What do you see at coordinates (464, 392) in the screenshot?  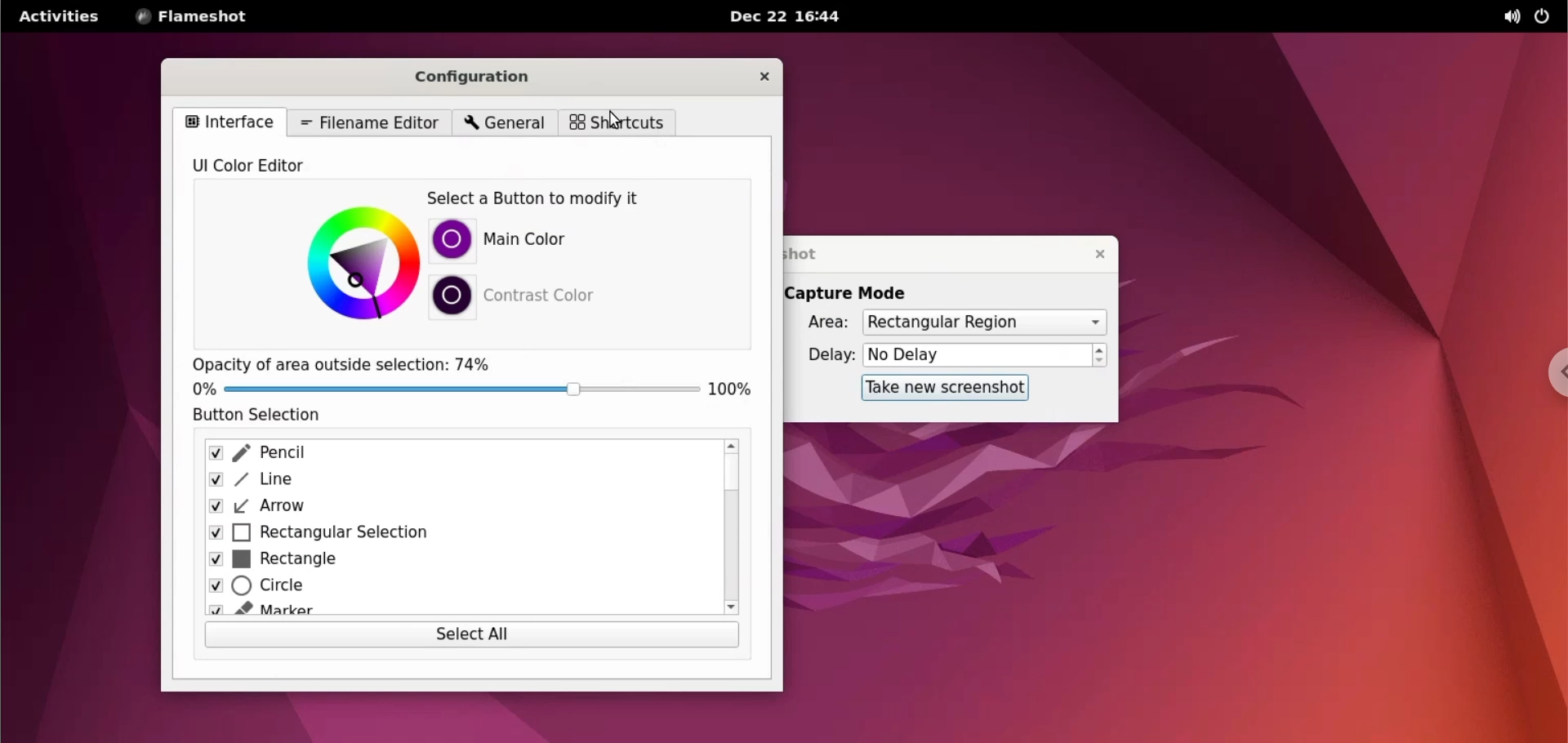 I see `opacity slider` at bounding box center [464, 392].